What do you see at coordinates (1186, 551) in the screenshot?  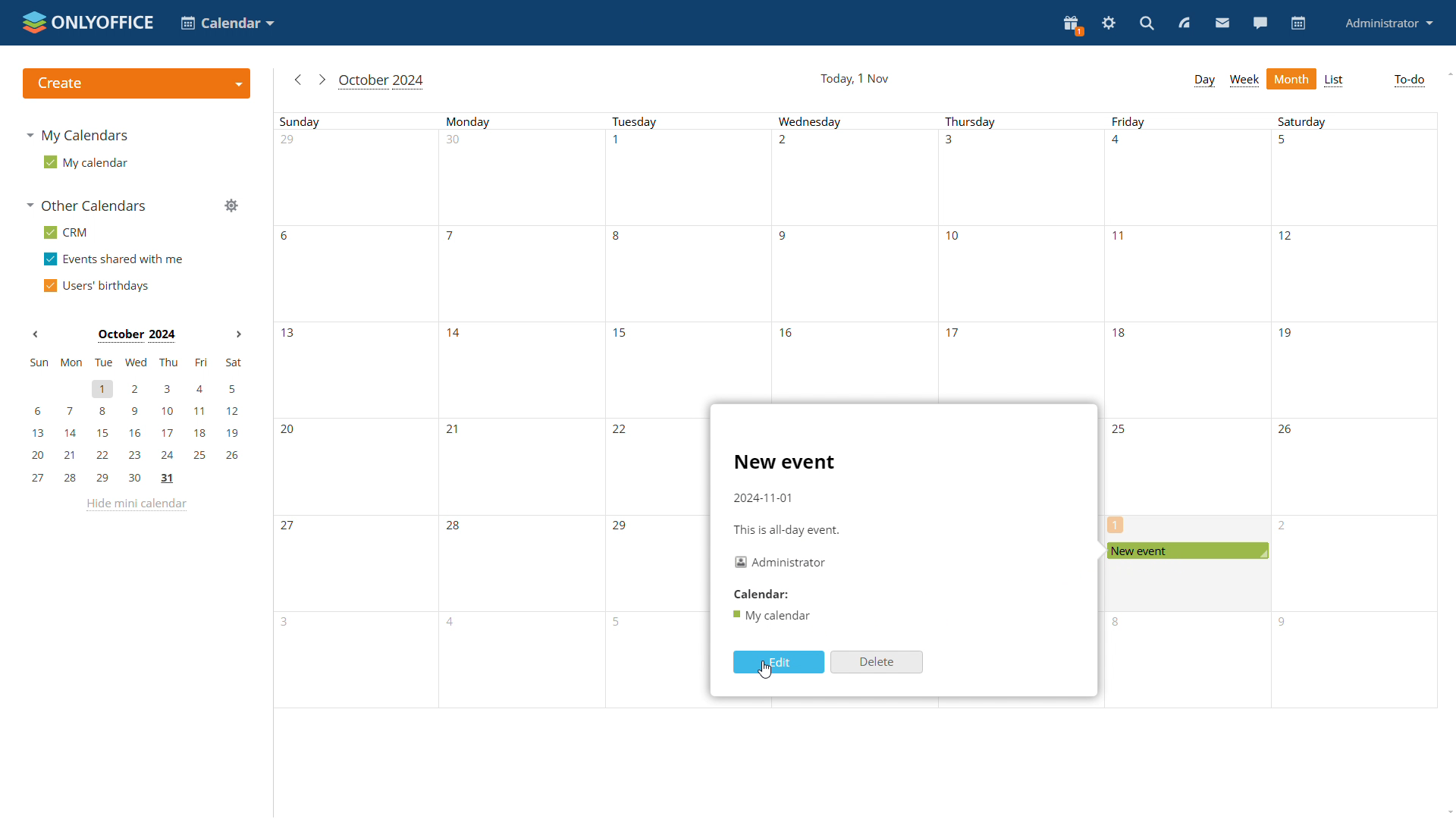 I see `scheduled event` at bounding box center [1186, 551].